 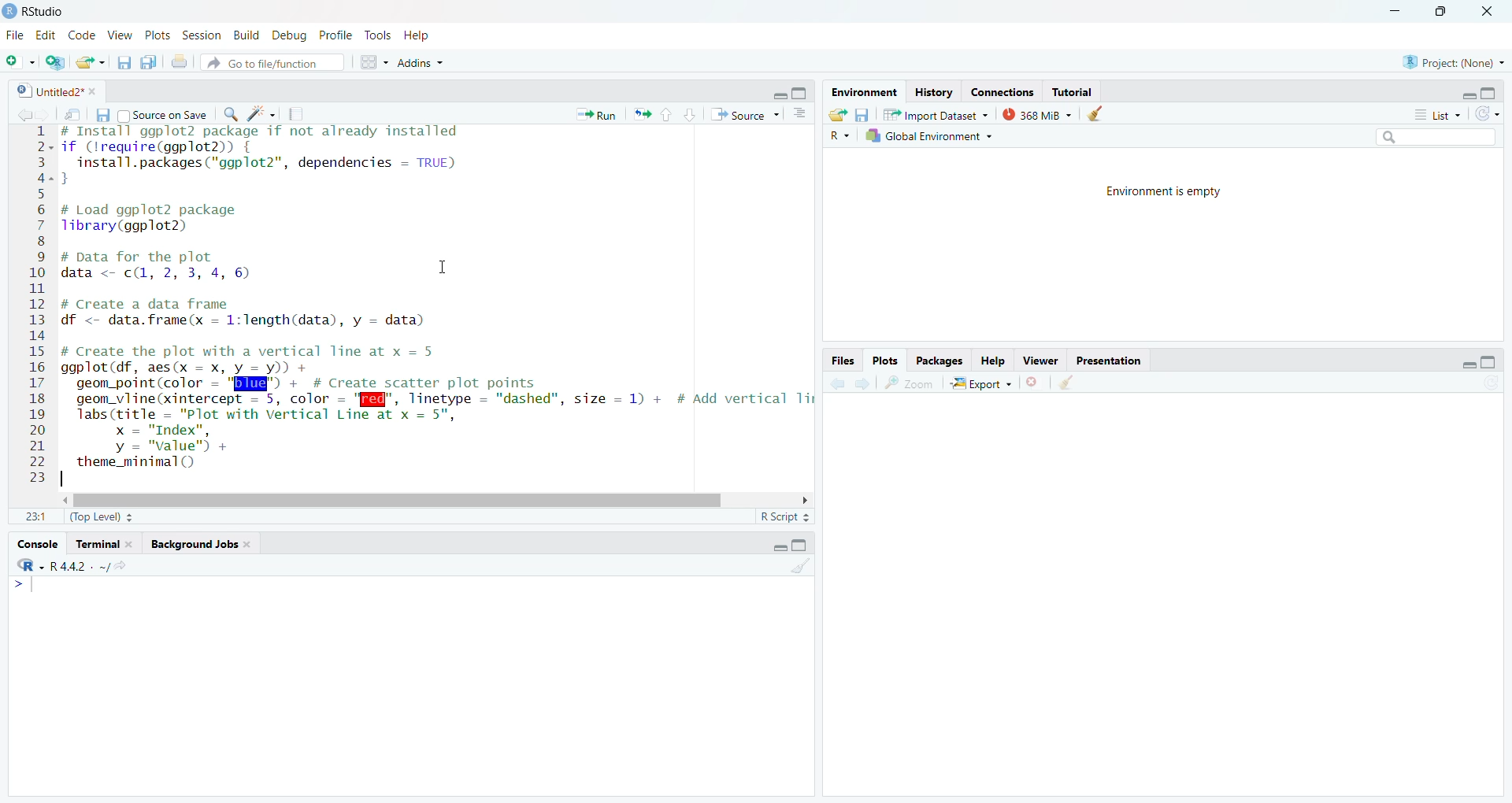 What do you see at coordinates (1114, 360) in the screenshot?
I see `Presentation` at bounding box center [1114, 360].